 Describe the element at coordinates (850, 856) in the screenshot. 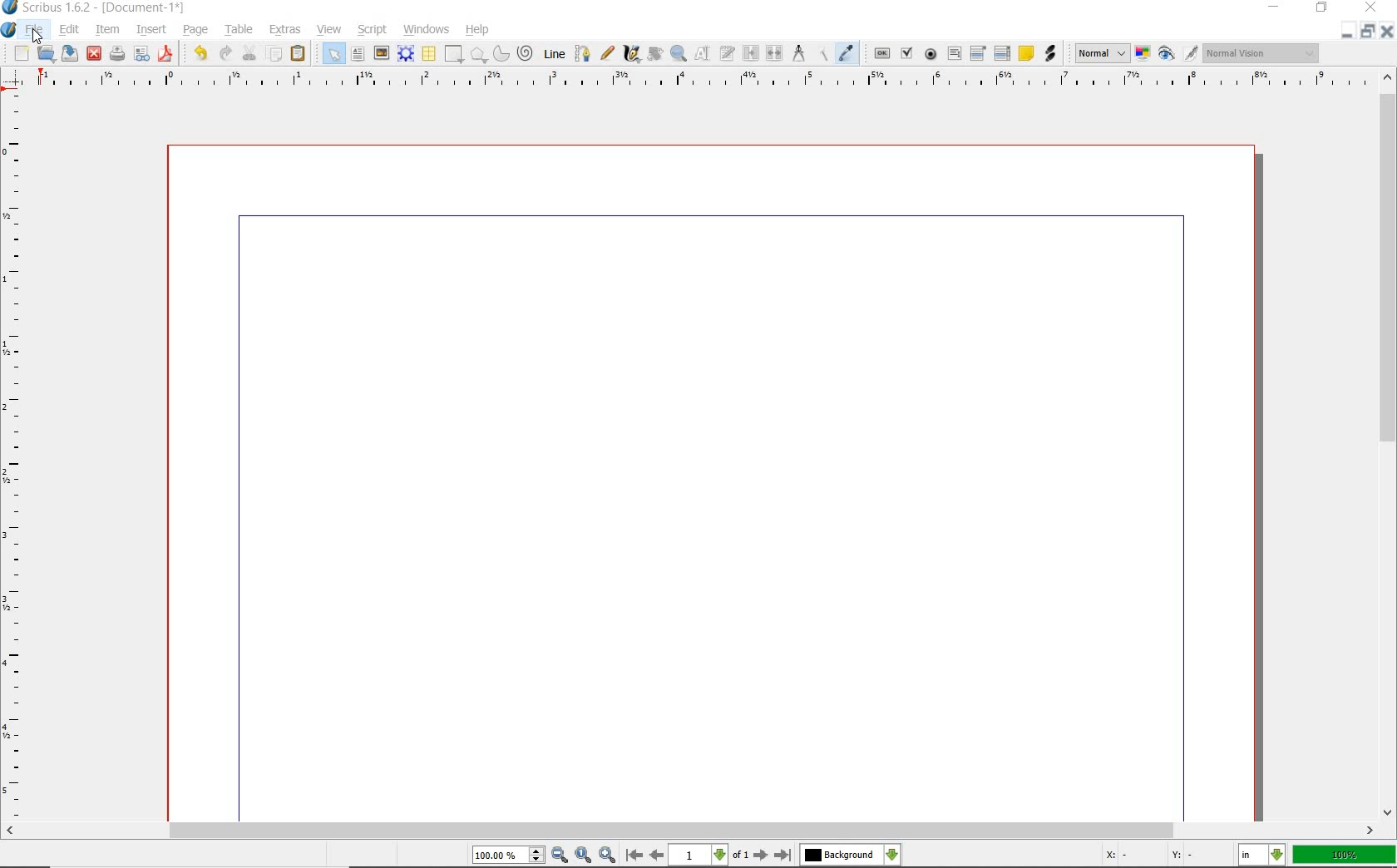

I see `select the current layer` at that location.